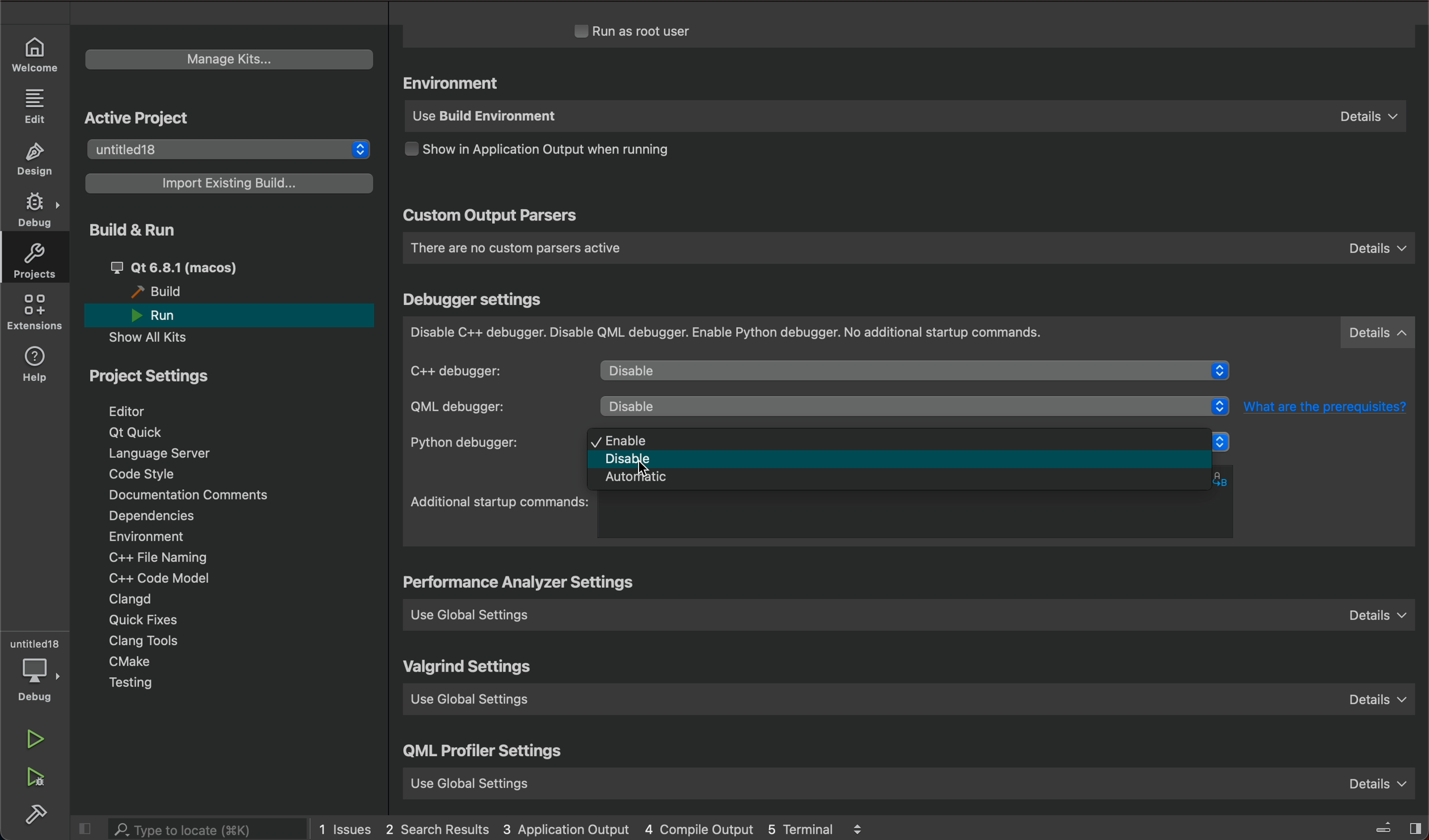 The height and width of the screenshot is (840, 1429). What do you see at coordinates (200, 266) in the screenshot?
I see `qt` at bounding box center [200, 266].